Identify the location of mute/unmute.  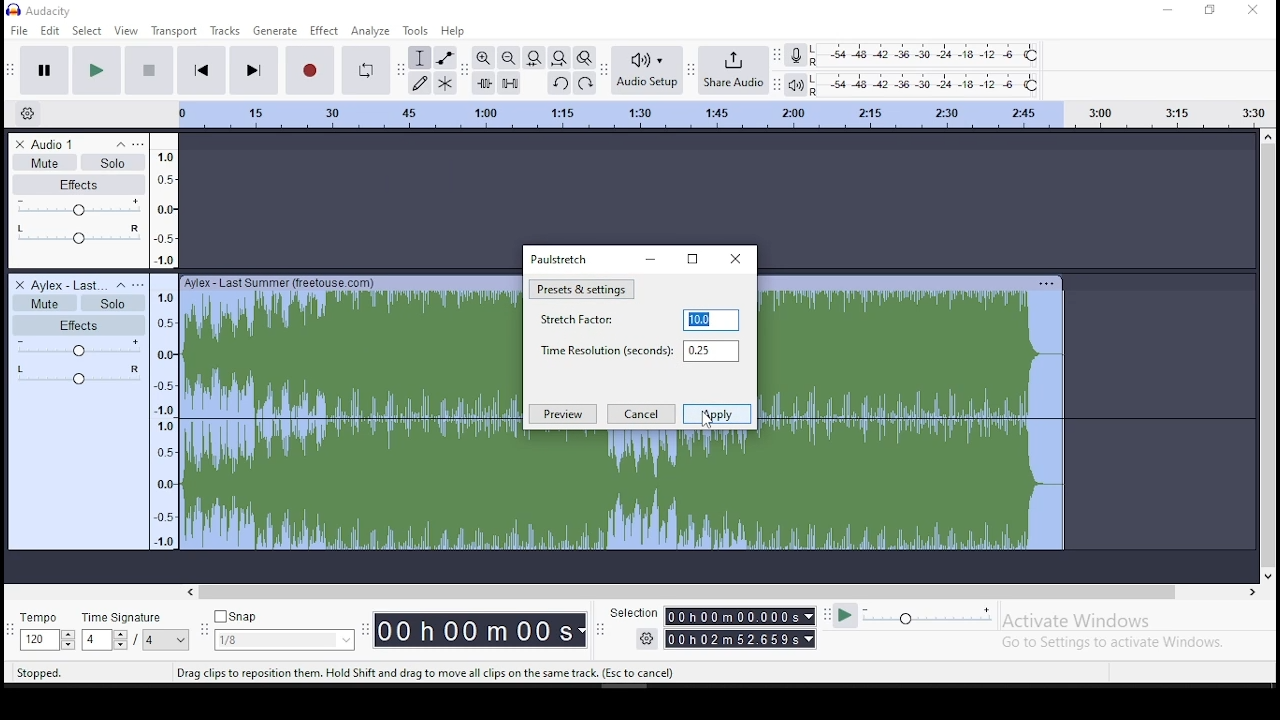
(46, 302).